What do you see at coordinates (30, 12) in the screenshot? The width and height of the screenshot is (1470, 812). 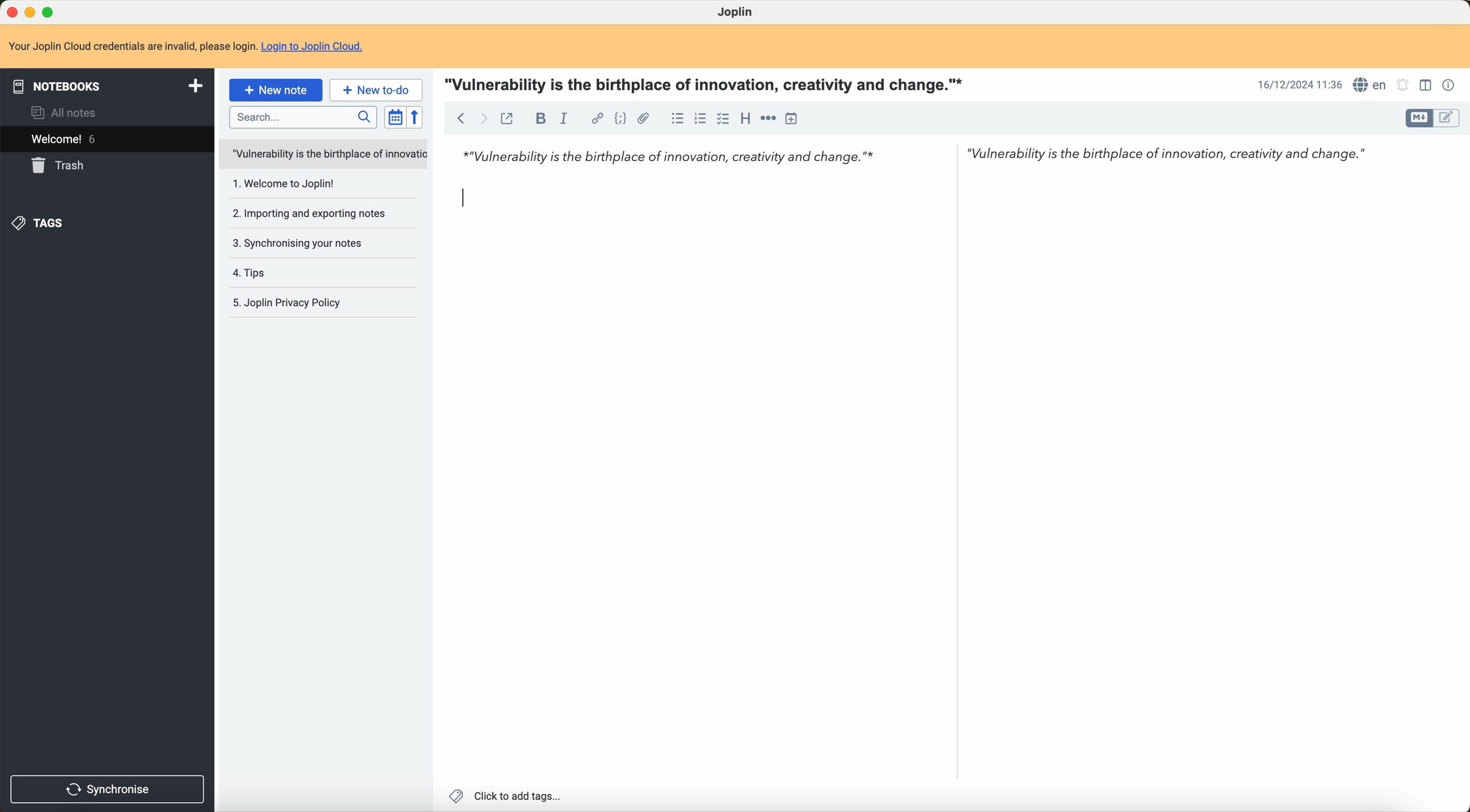 I see `minimize` at bounding box center [30, 12].